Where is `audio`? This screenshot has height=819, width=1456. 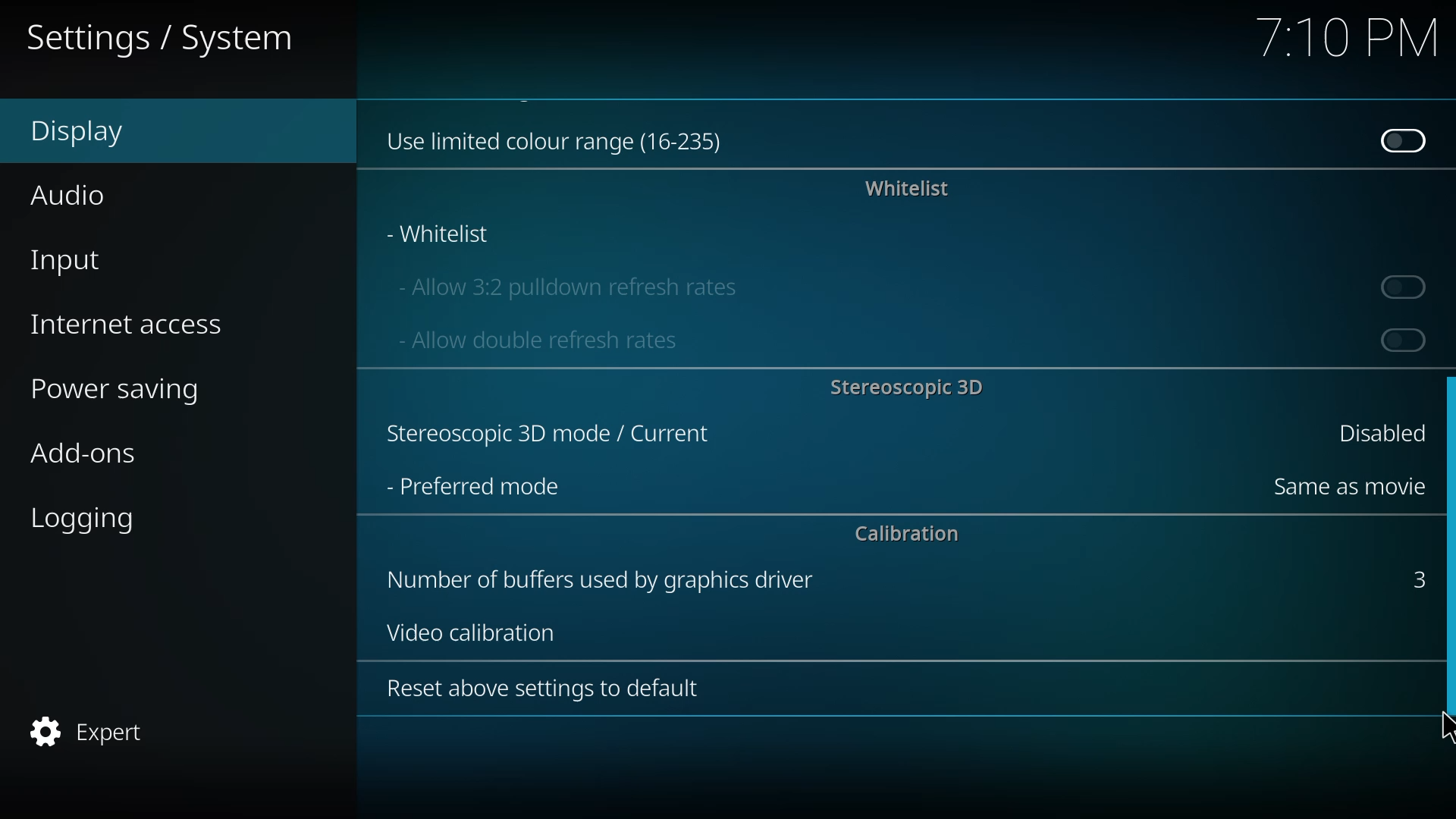 audio is located at coordinates (74, 193).